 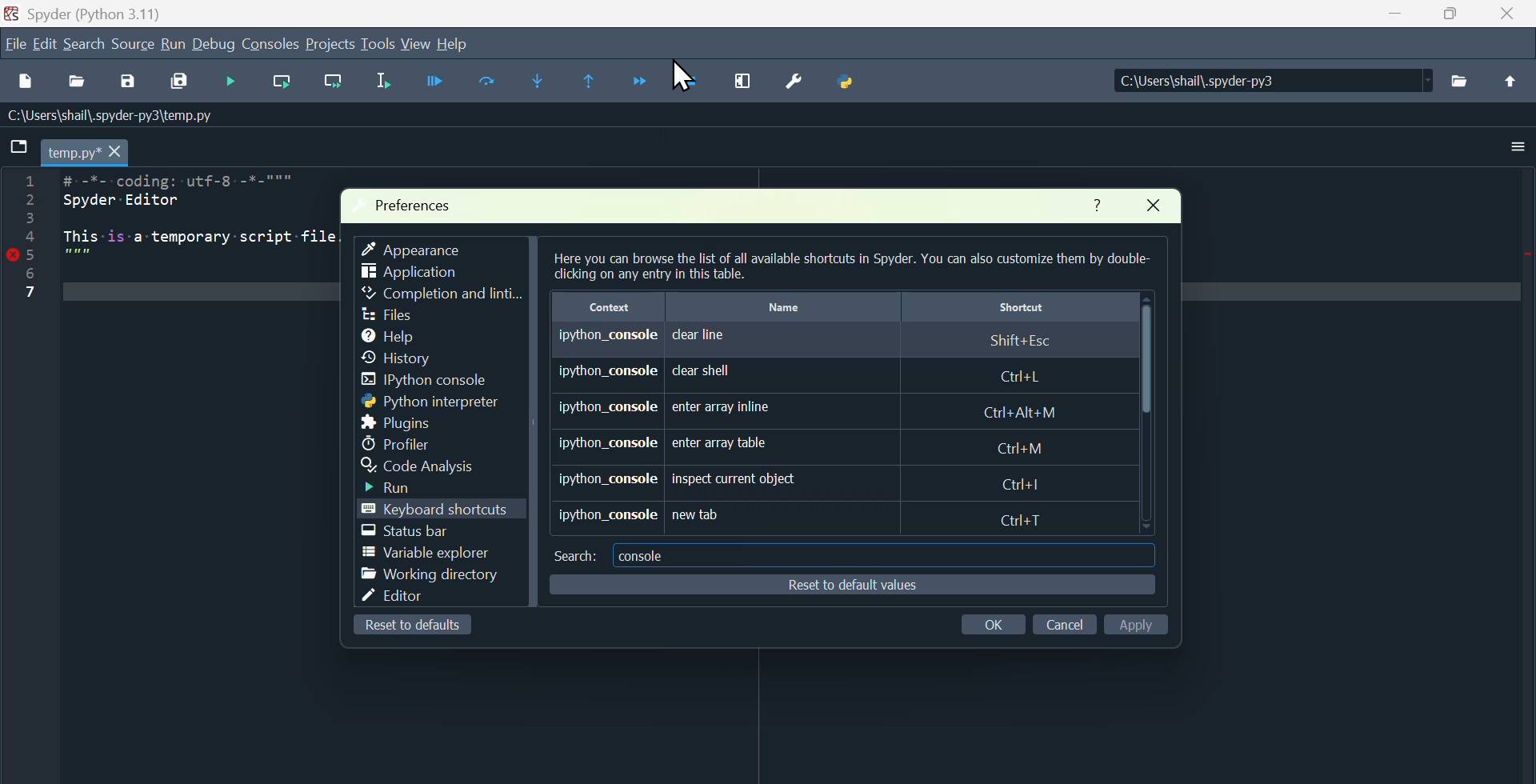 I want to click on Save all, so click(x=177, y=84).